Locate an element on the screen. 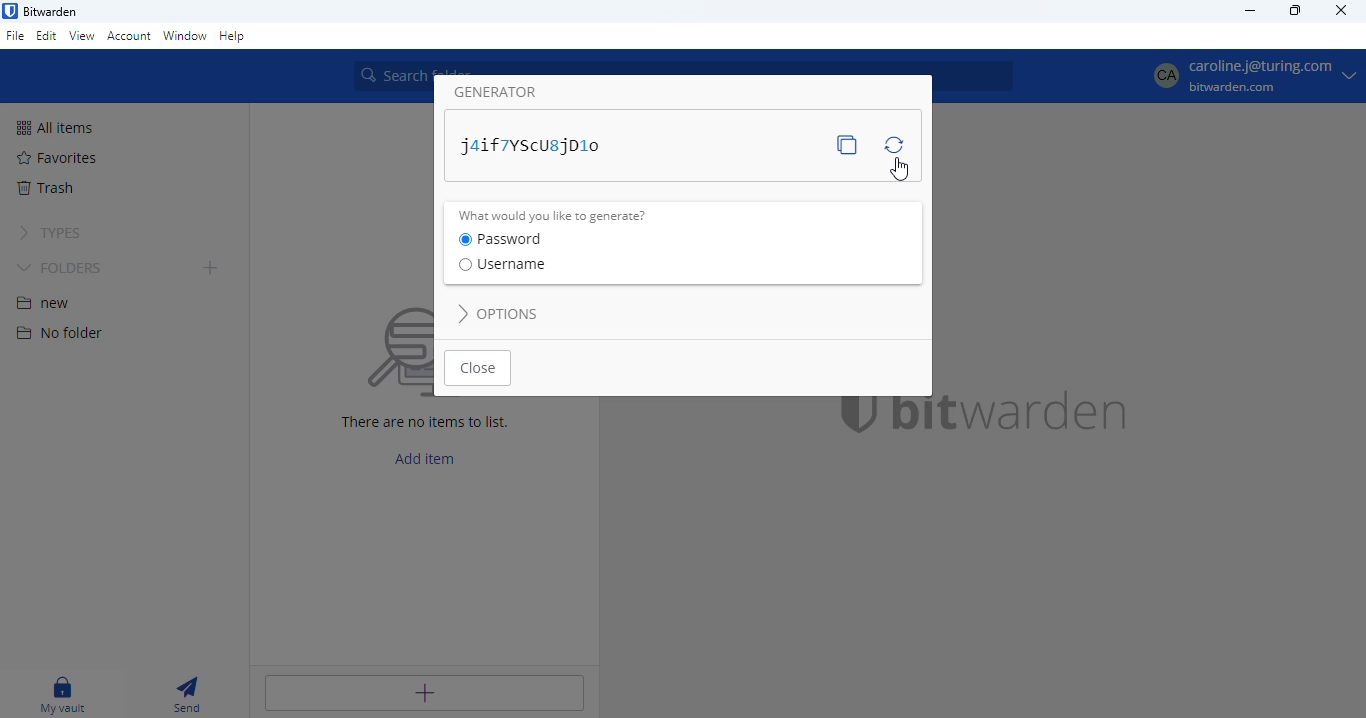 The height and width of the screenshot is (718, 1366). edit is located at coordinates (46, 35).